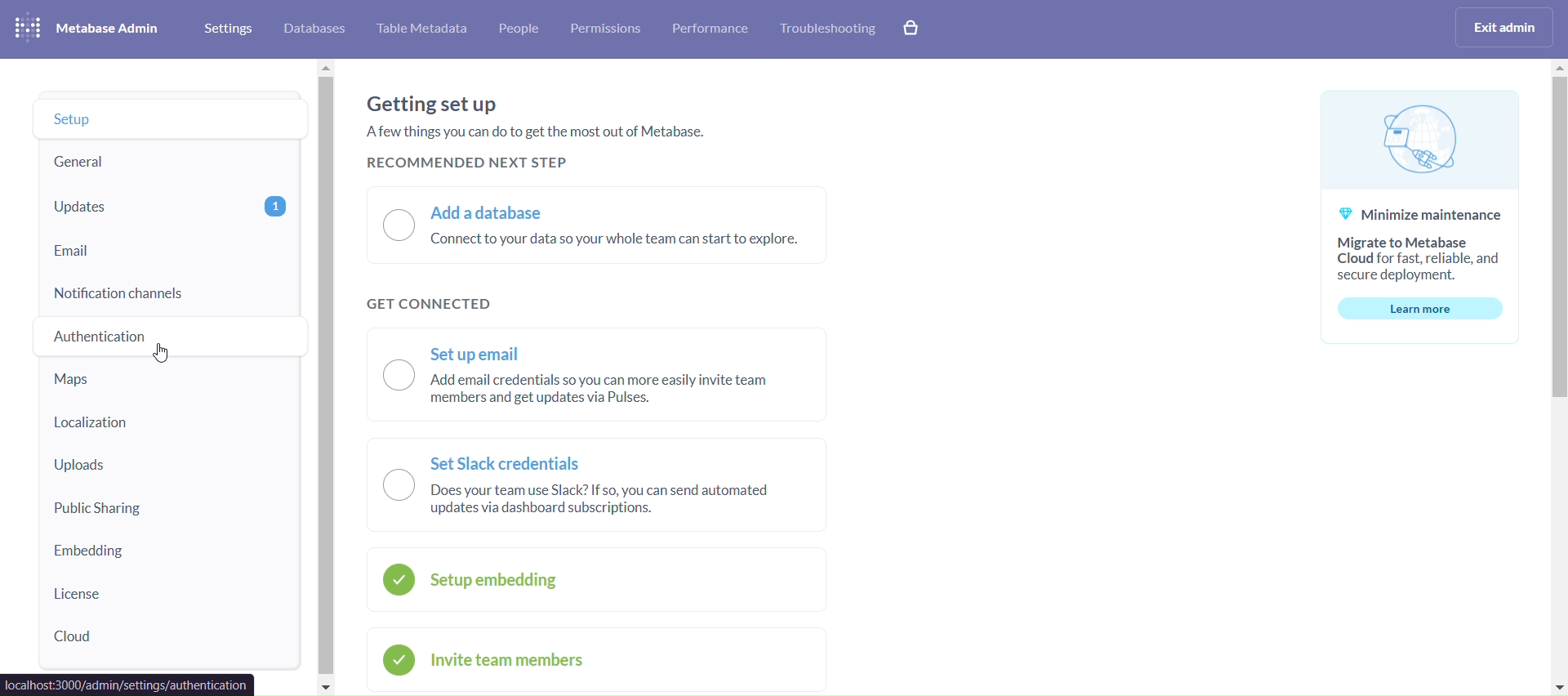  Describe the element at coordinates (172, 118) in the screenshot. I see `setup` at that location.